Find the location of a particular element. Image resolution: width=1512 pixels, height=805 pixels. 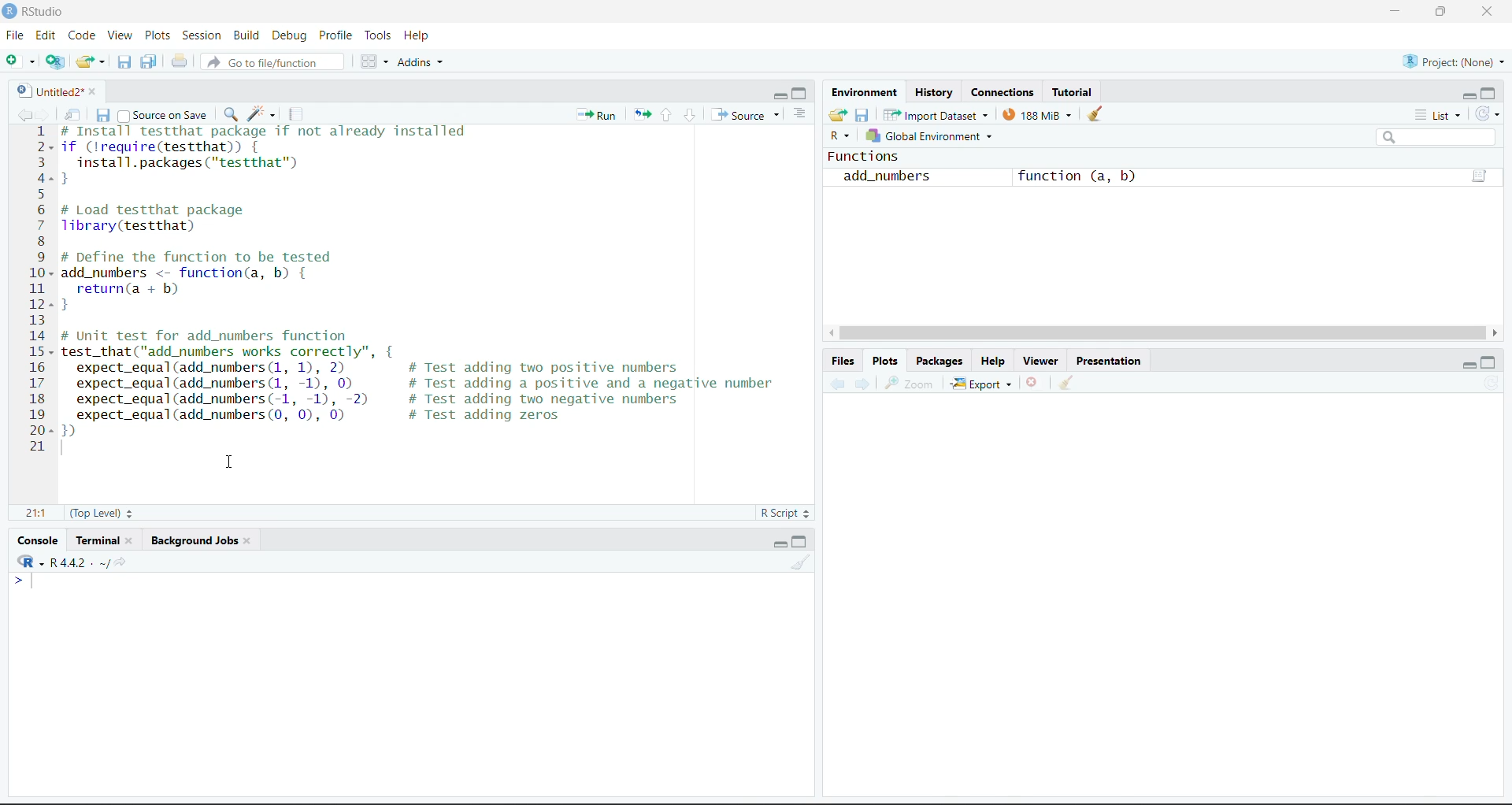

minimize is located at coordinates (1470, 363).